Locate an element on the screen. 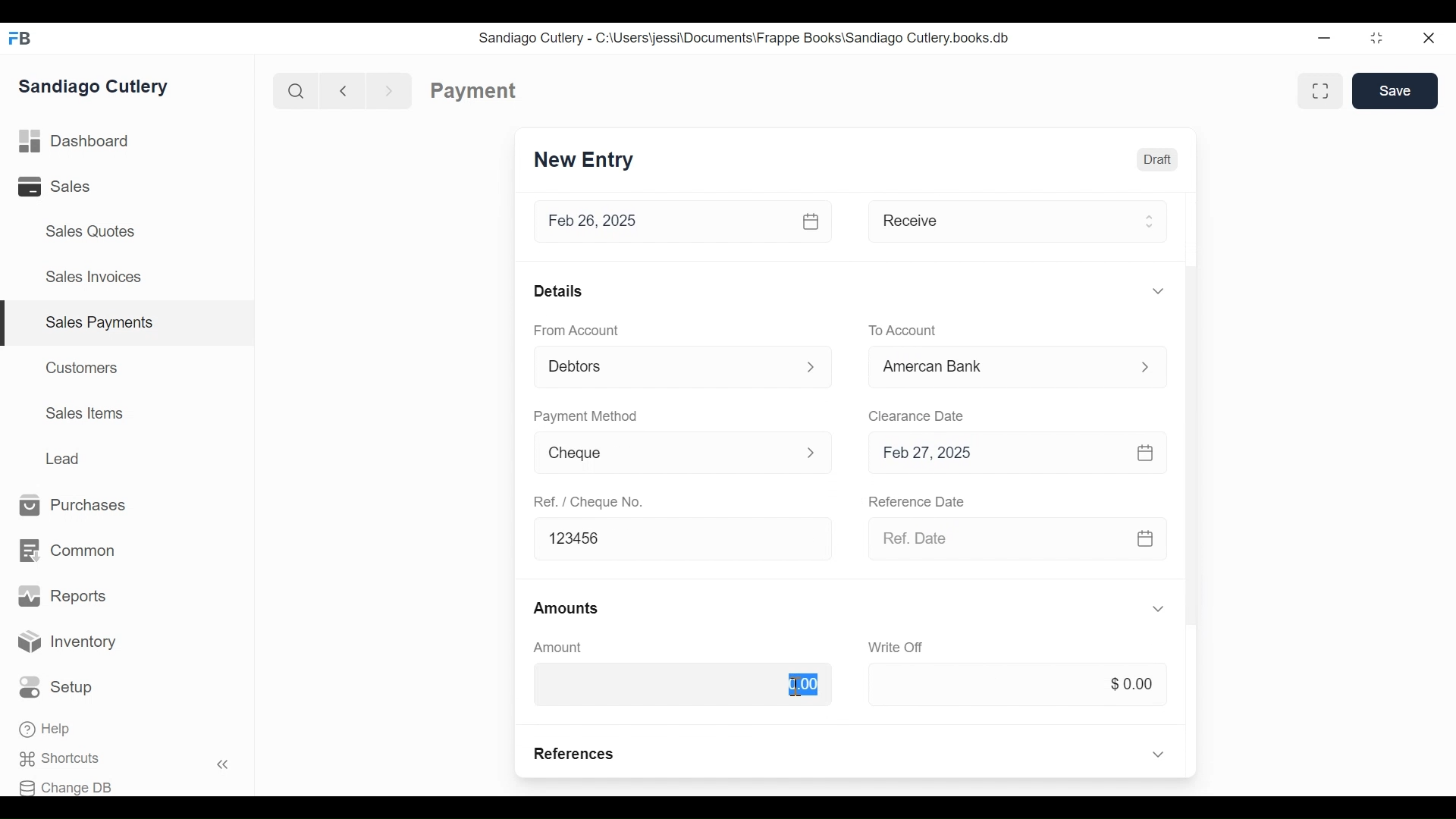  | Sales Payments is located at coordinates (129, 324).